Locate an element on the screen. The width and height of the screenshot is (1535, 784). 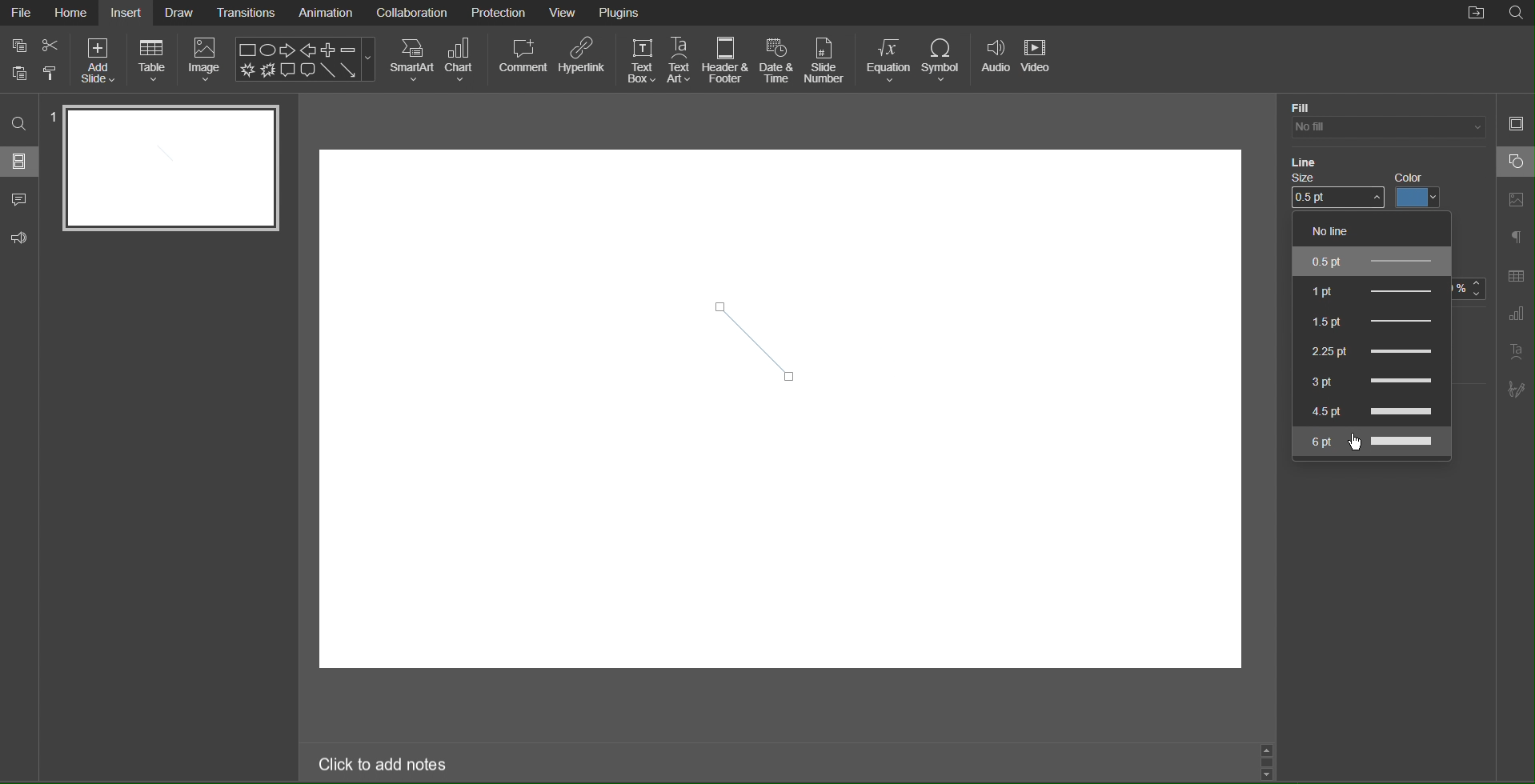
Size is located at coordinates (1336, 193).